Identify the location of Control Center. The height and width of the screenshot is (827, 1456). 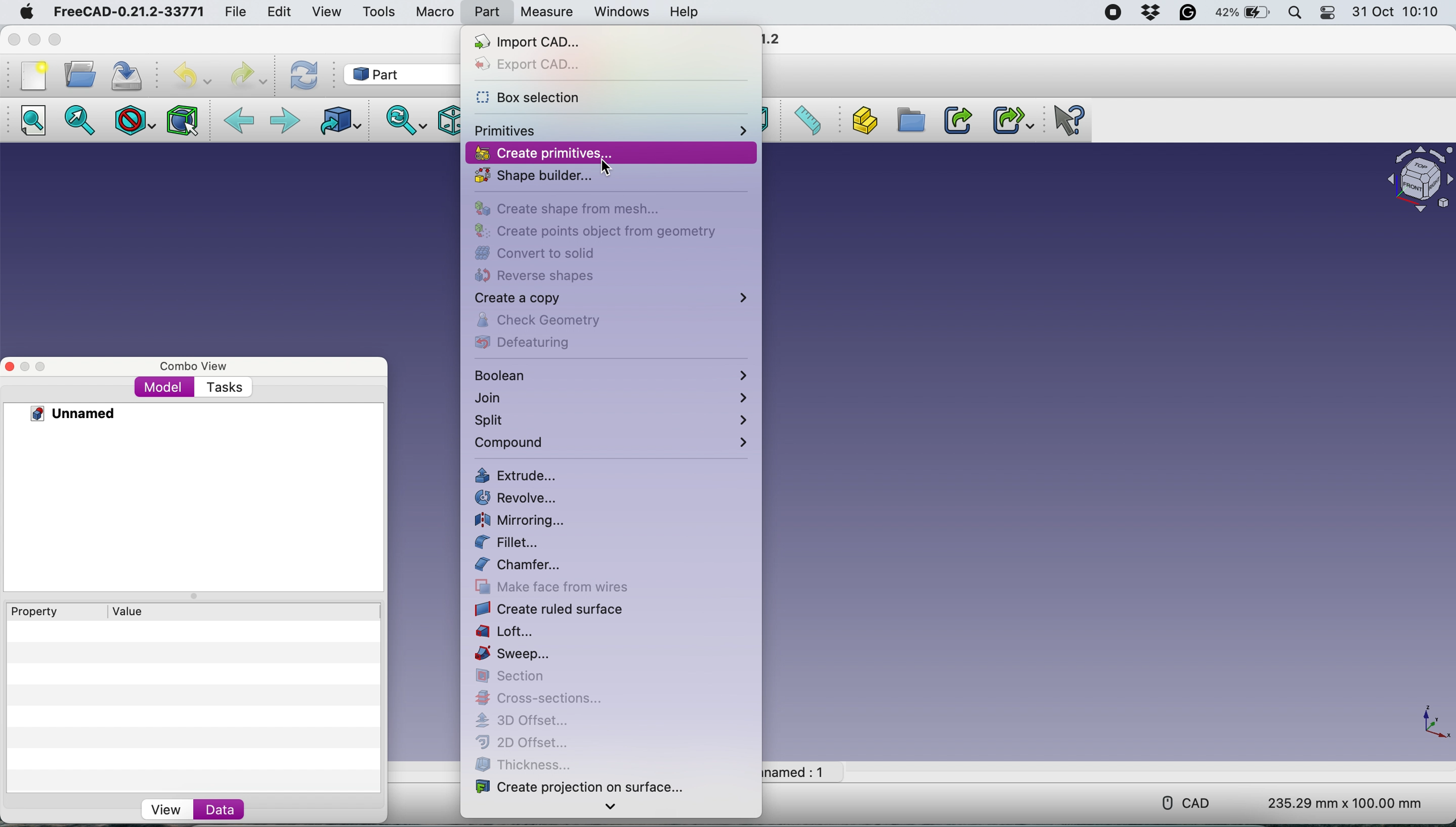
(1327, 12).